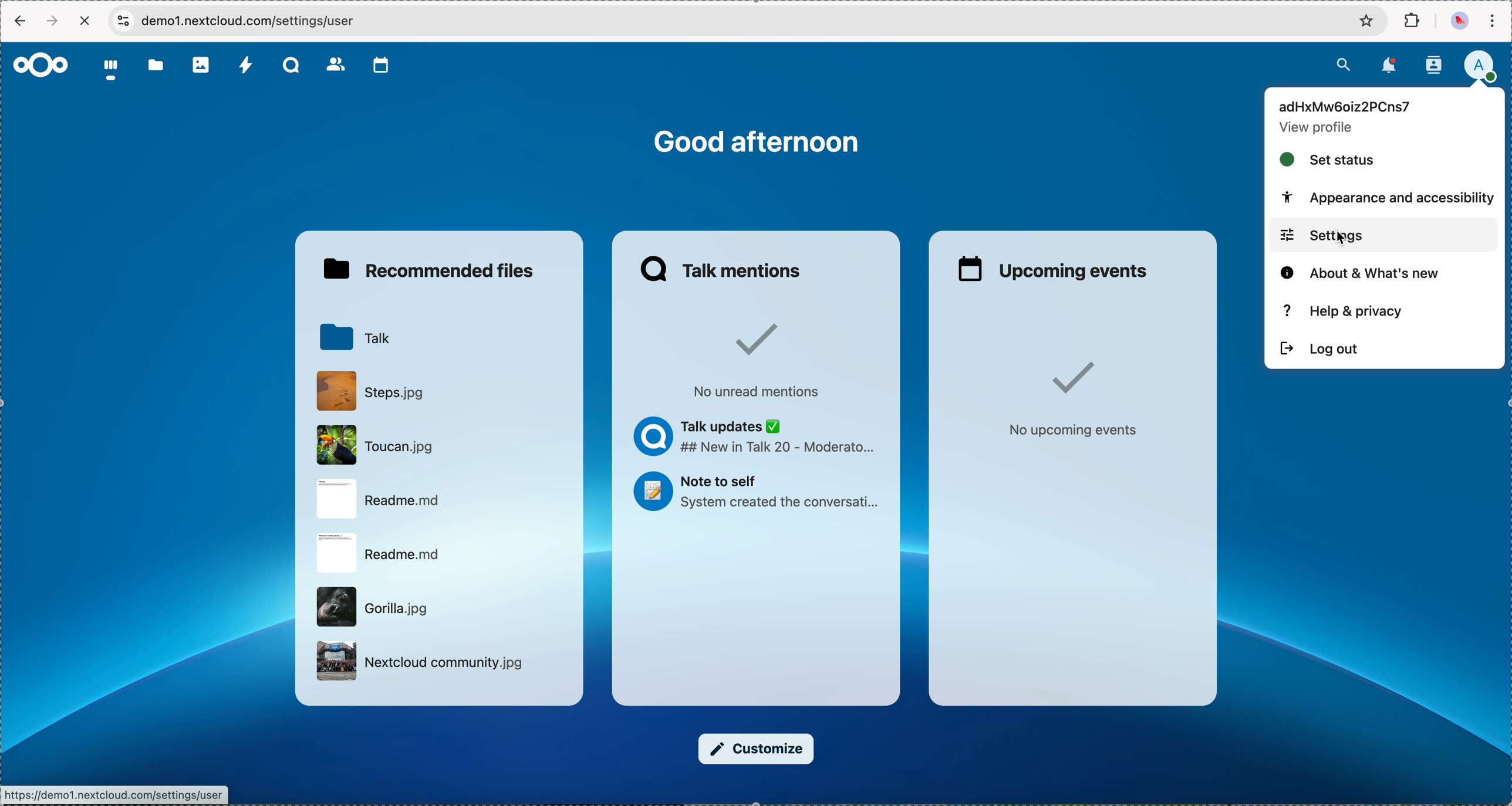 This screenshot has width=1512, height=806. I want to click on help and privacy, so click(1346, 311).